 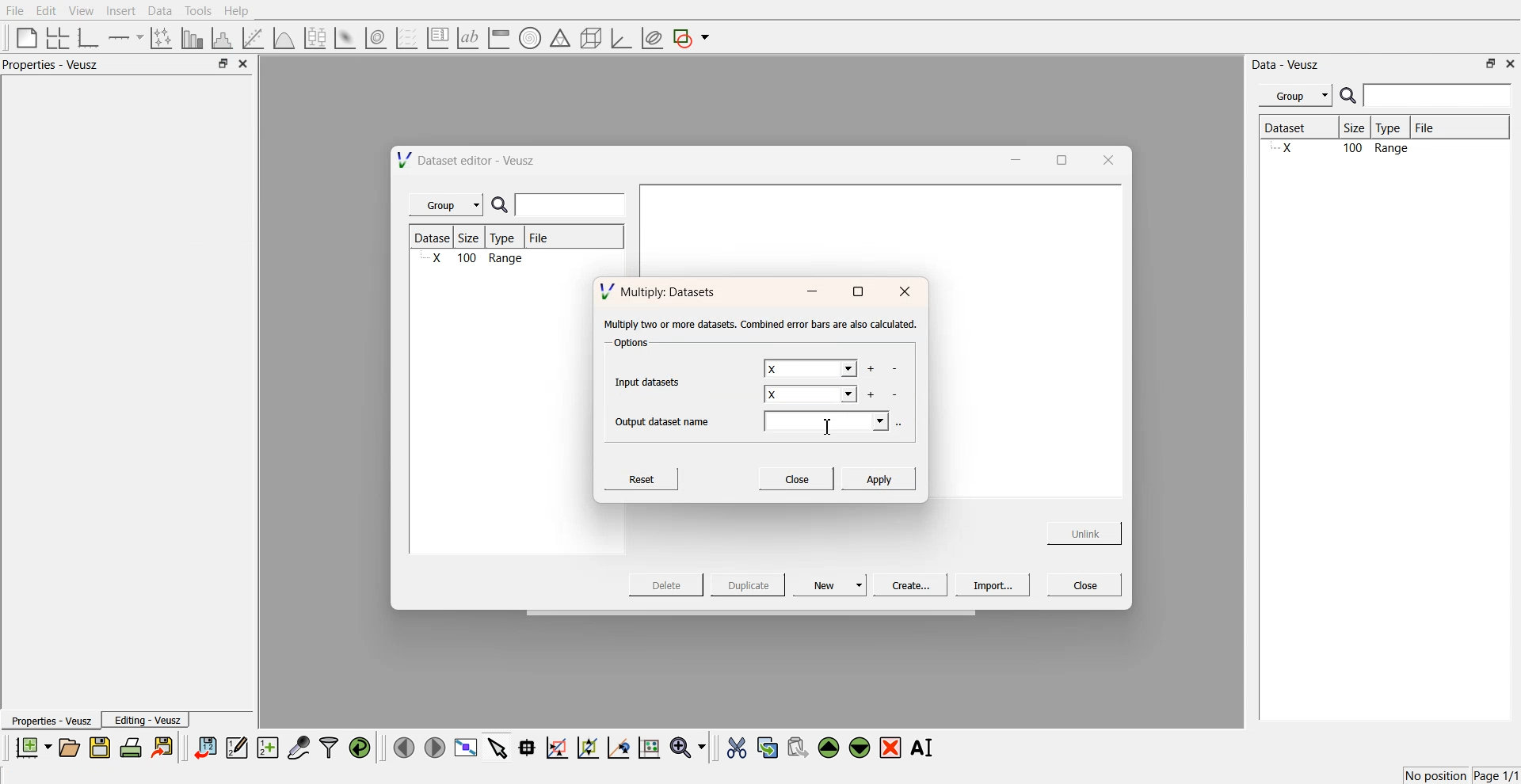 I want to click on Tools, so click(x=196, y=10).